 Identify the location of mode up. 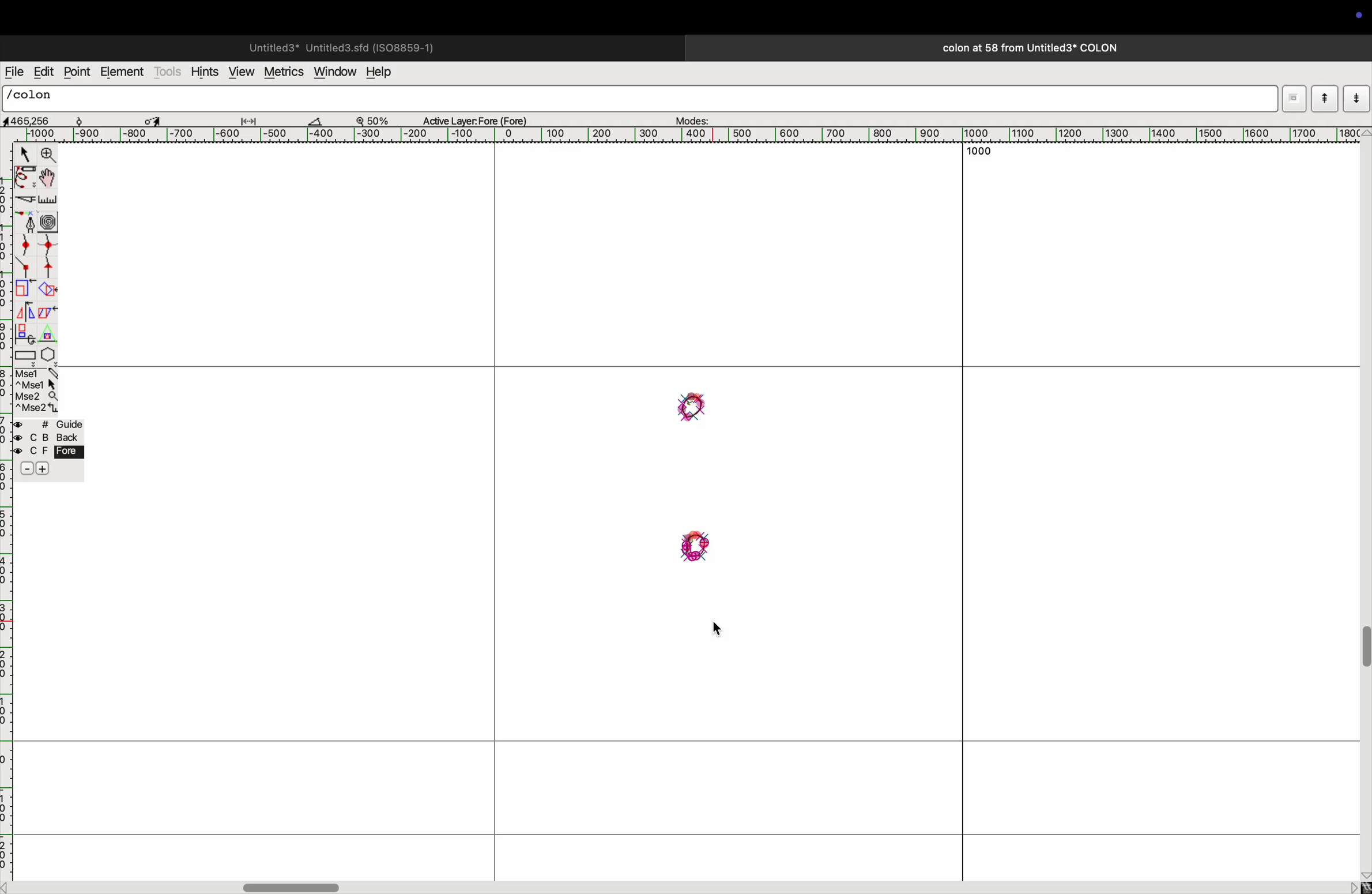
(1324, 99).